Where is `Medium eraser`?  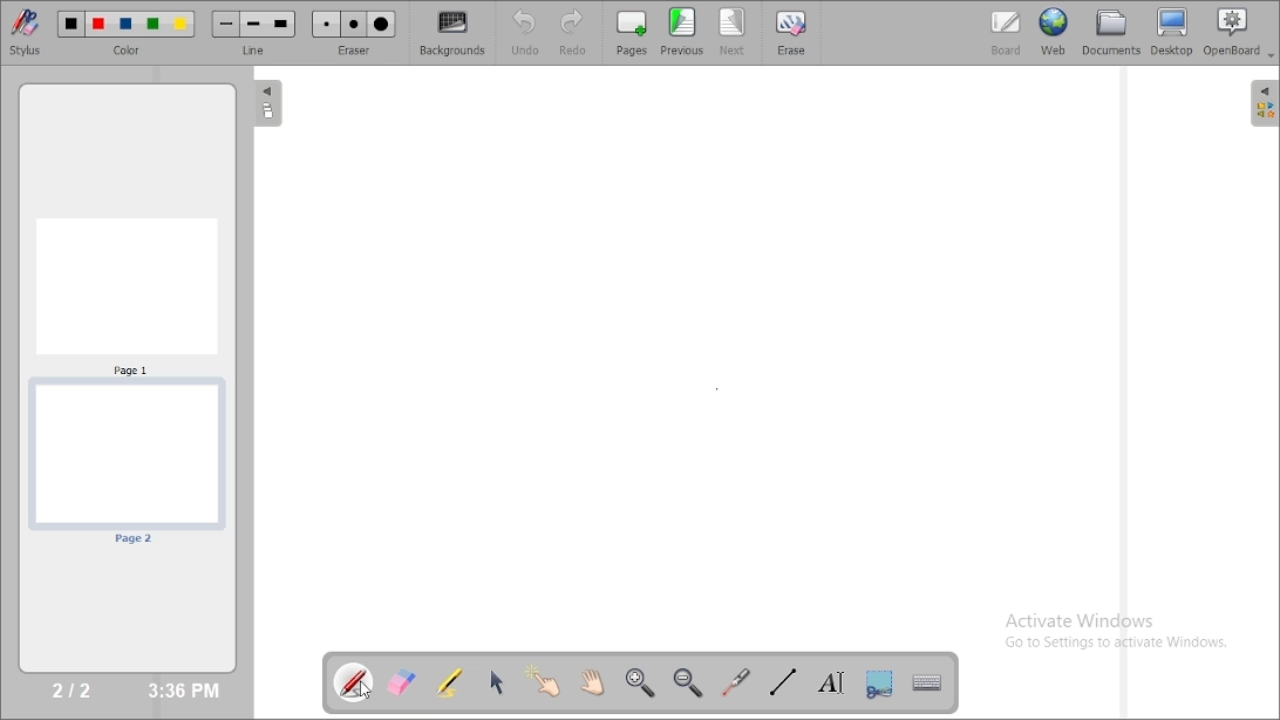 Medium eraser is located at coordinates (354, 25).